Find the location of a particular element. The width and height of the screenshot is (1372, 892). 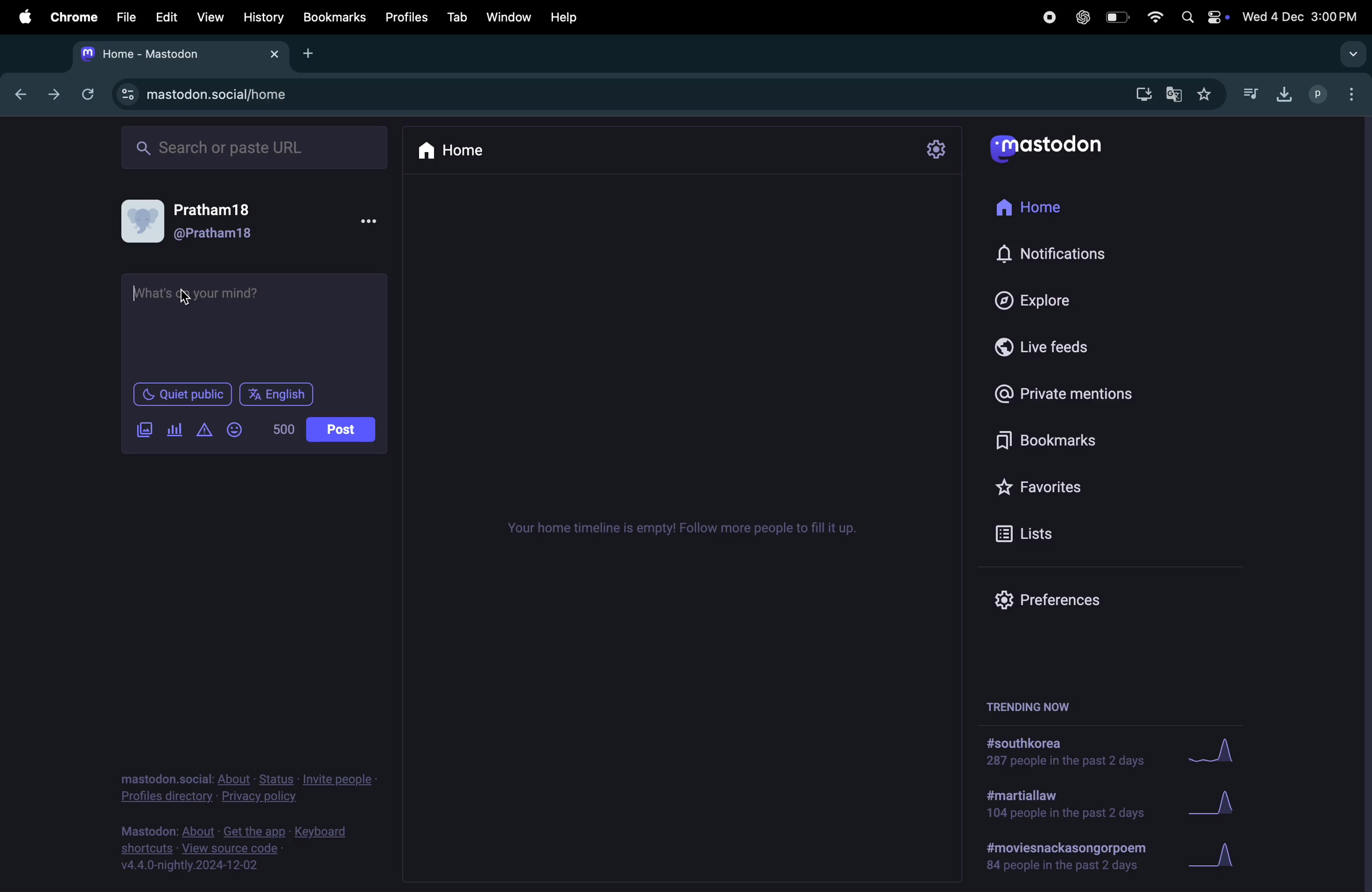

translate is located at coordinates (1173, 93).